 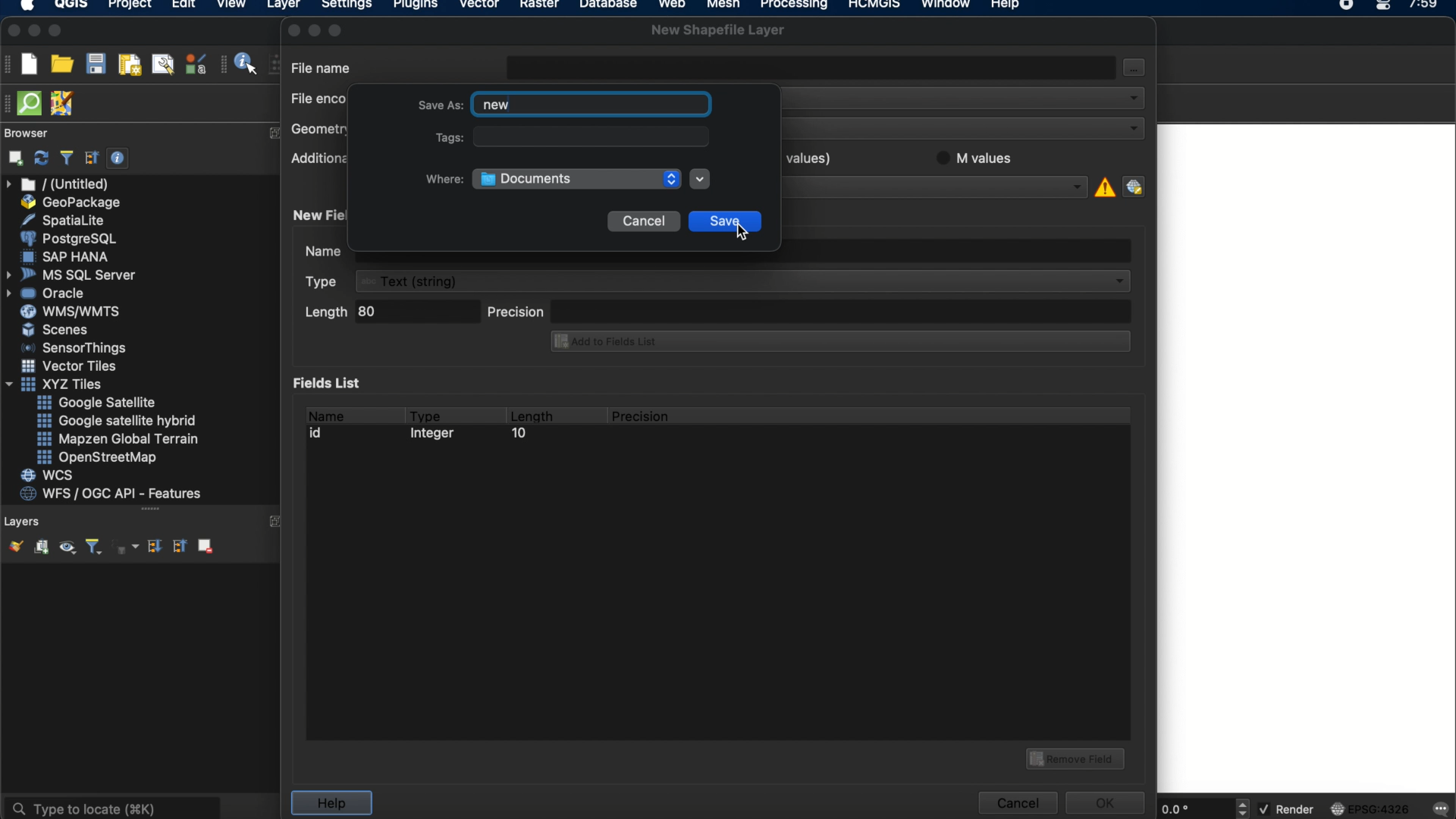 What do you see at coordinates (497, 105) in the screenshot?
I see `new` at bounding box center [497, 105].